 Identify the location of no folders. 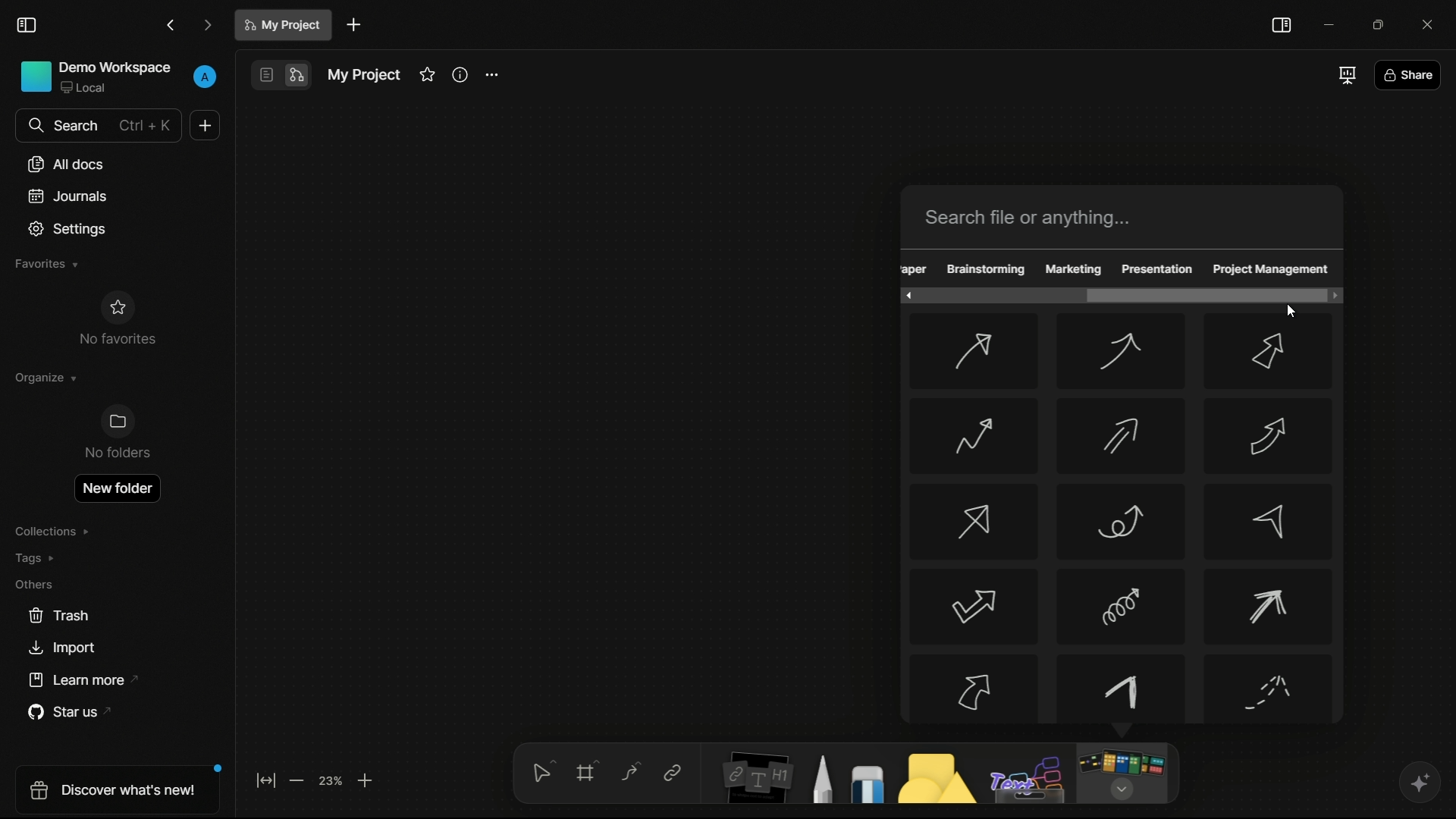
(116, 432).